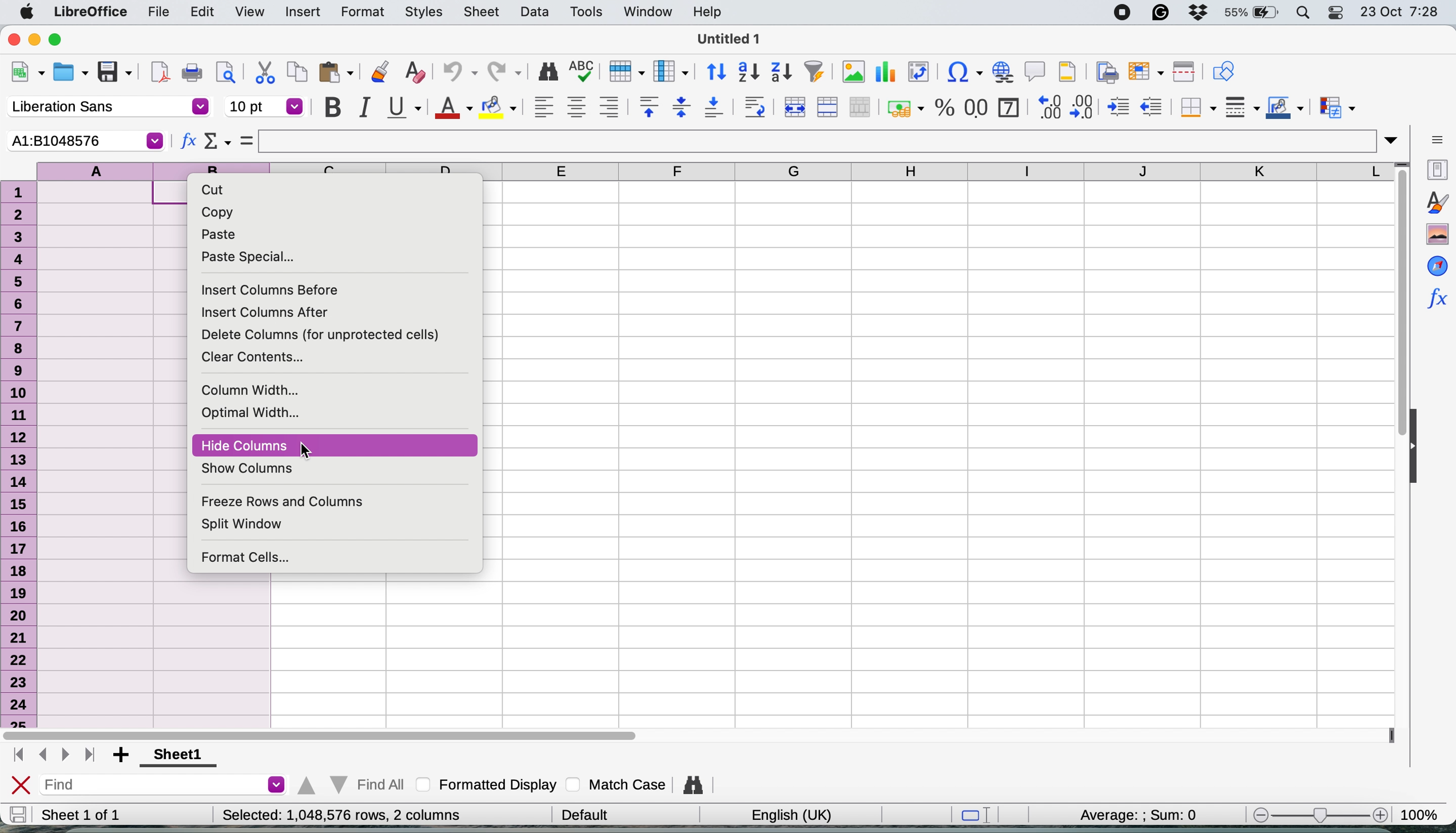 This screenshot has width=1456, height=833. Describe the element at coordinates (962, 72) in the screenshot. I see `insert special characters` at that location.